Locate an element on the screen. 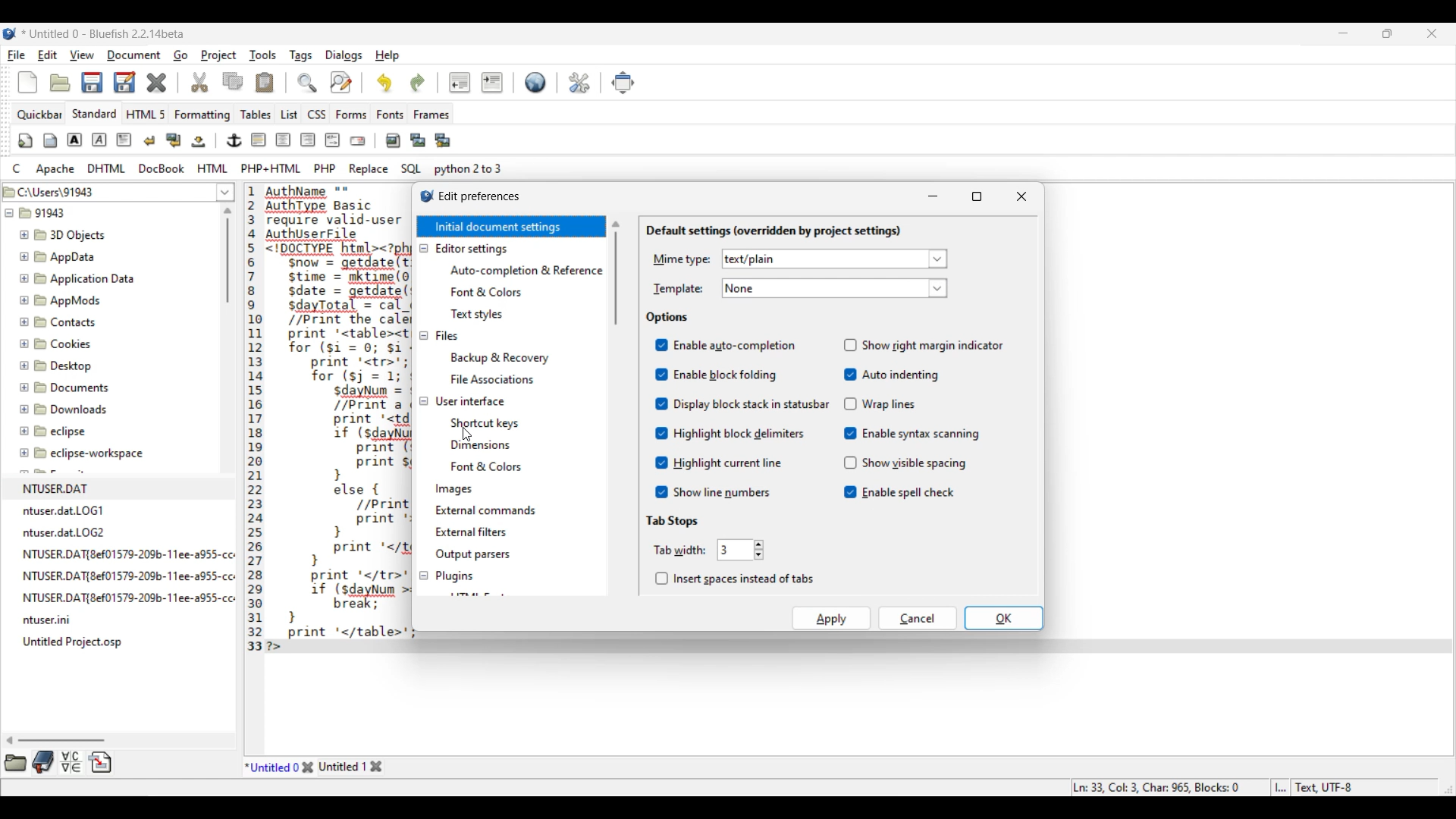 Image resolution: width=1456 pixels, height=819 pixels. Copy is located at coordinates (232, 81).